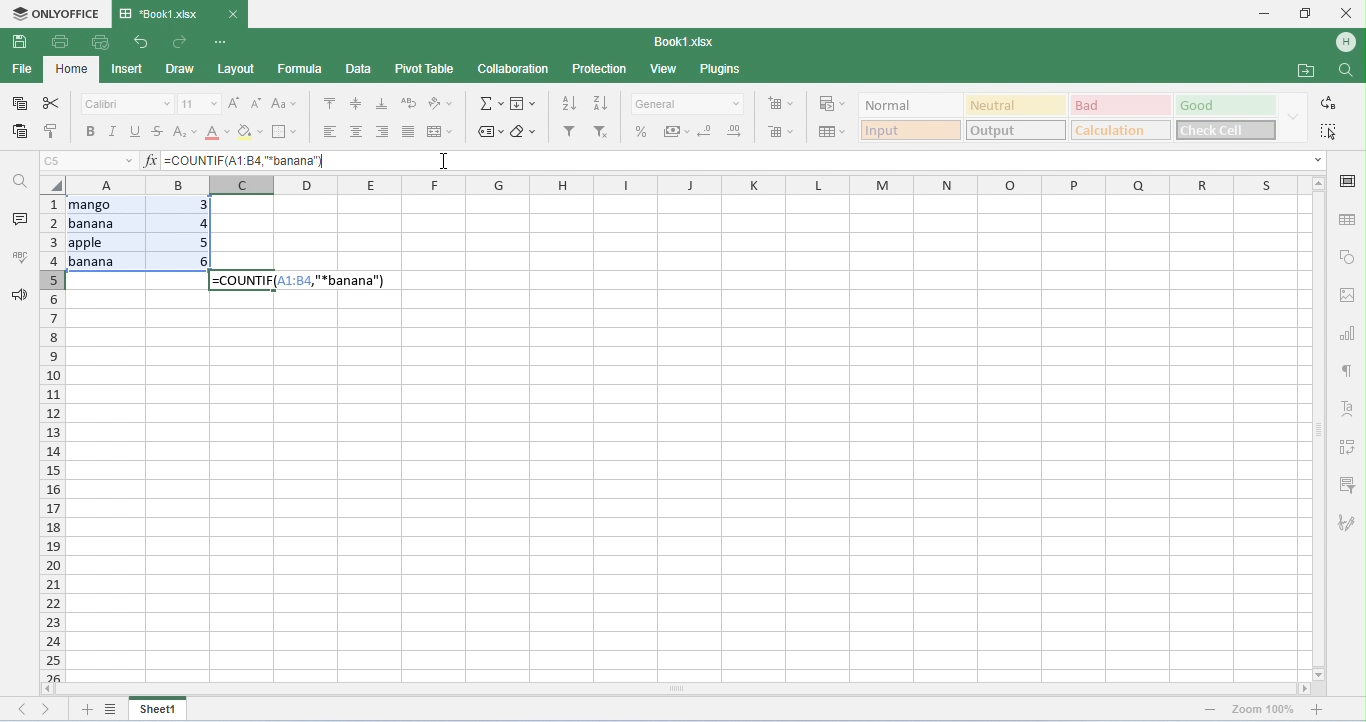  Describe the element at coordinates (236, 69) in the screenshot. I see `layout` at that location.